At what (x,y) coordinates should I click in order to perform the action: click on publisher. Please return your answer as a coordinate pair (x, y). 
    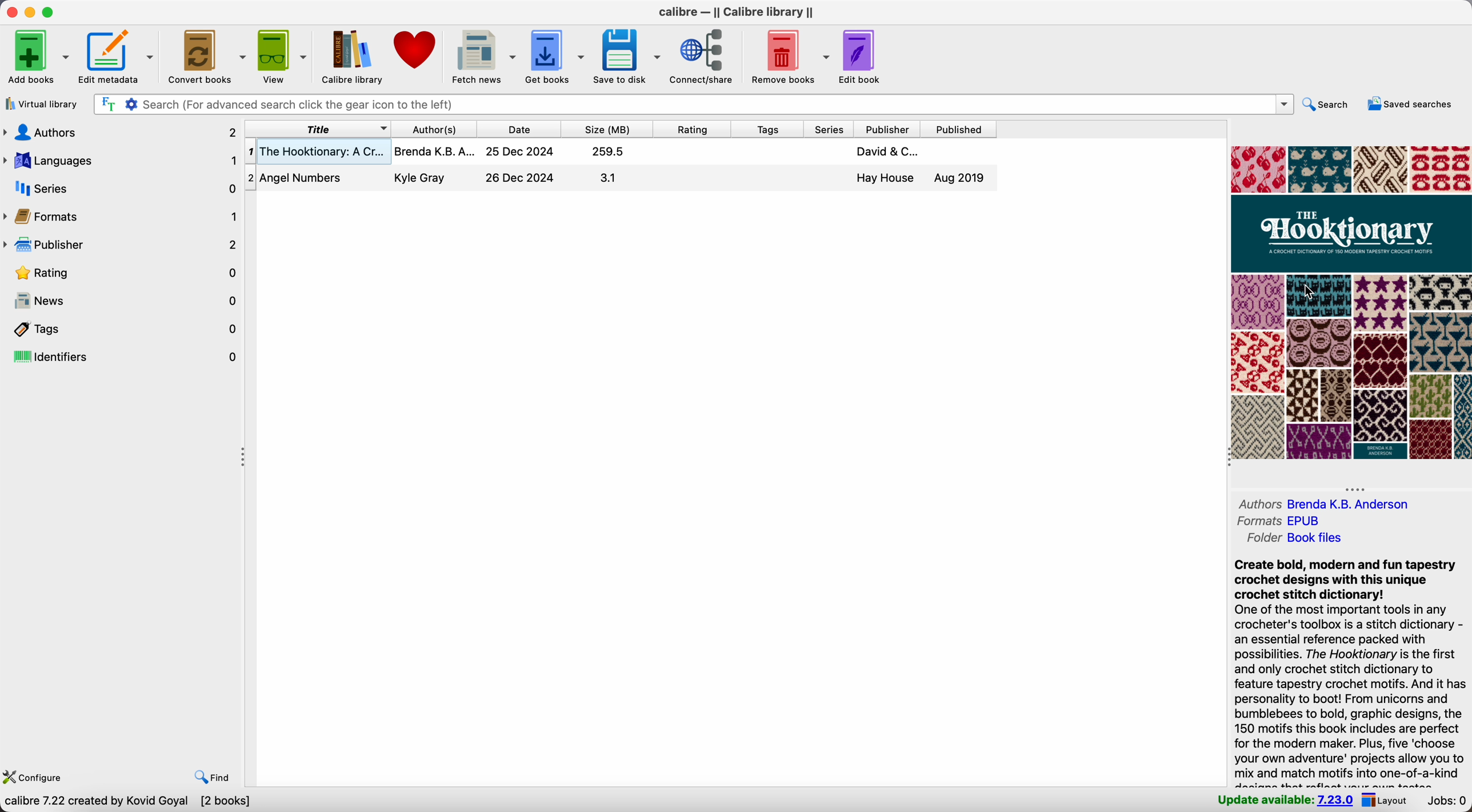
    Looking at the image, I should click on (122, 247).